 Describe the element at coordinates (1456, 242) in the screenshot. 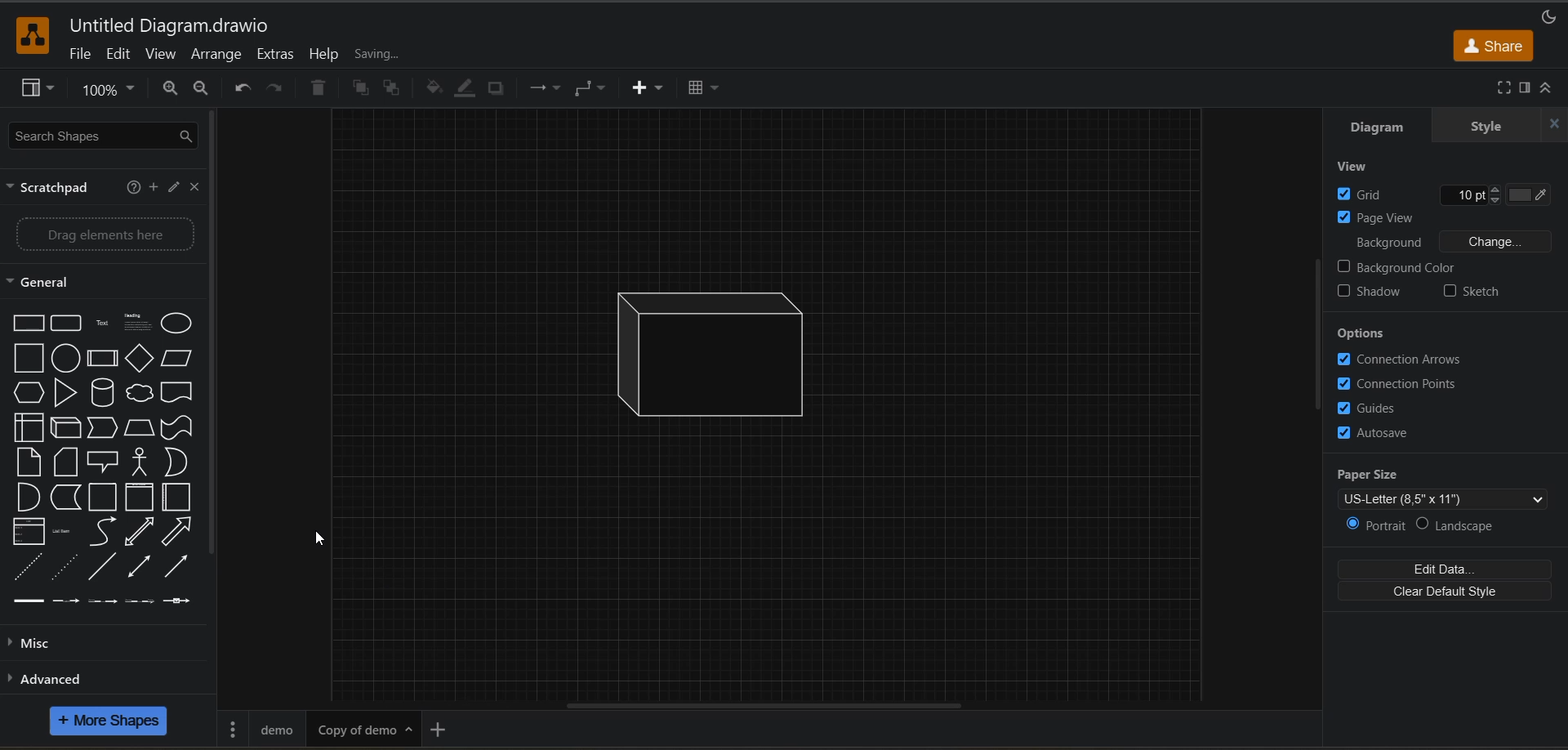

I see `background` at that location.